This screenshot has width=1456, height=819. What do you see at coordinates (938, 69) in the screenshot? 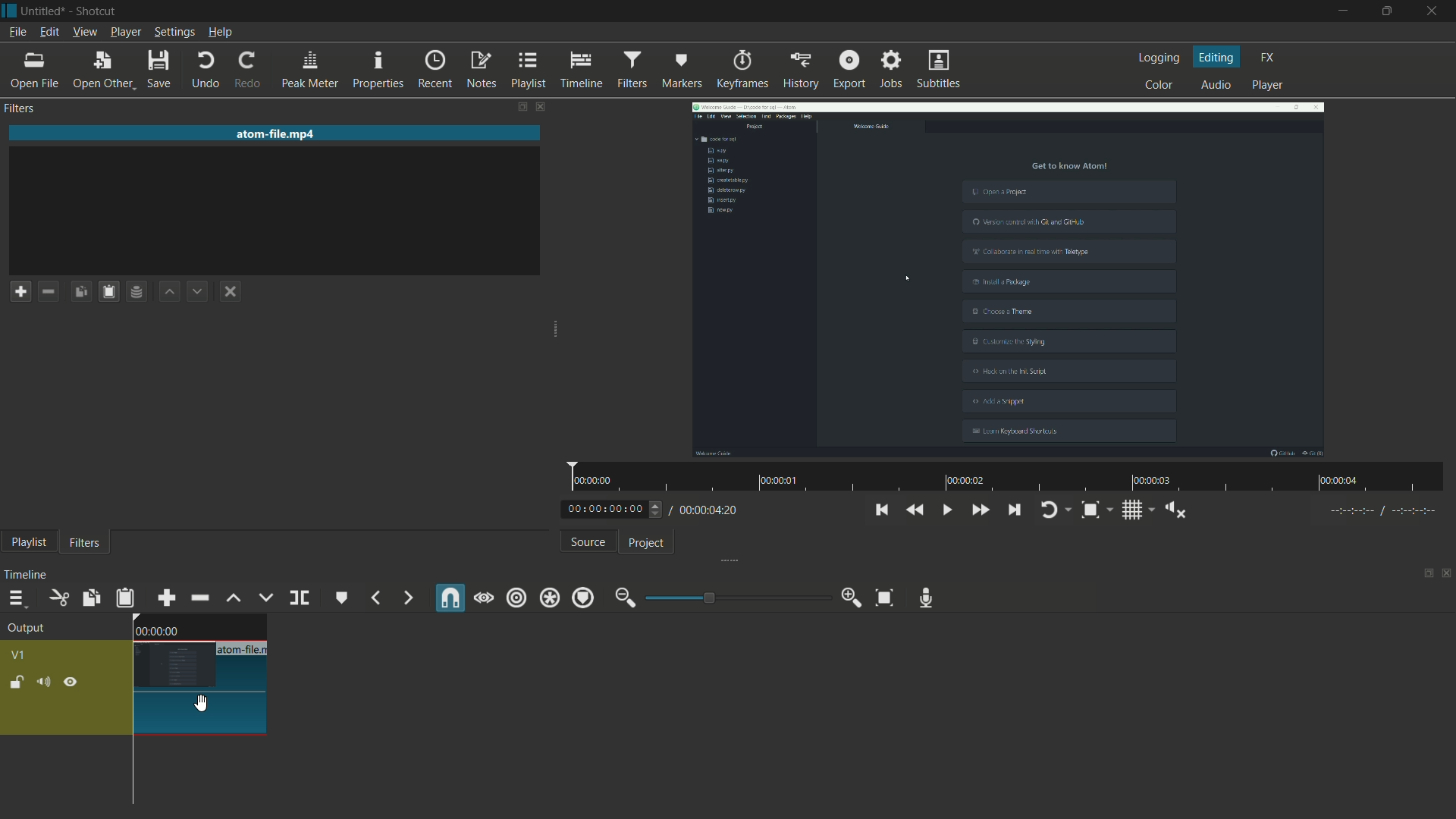
I see `subtitles` at bounding box center [938, 69].